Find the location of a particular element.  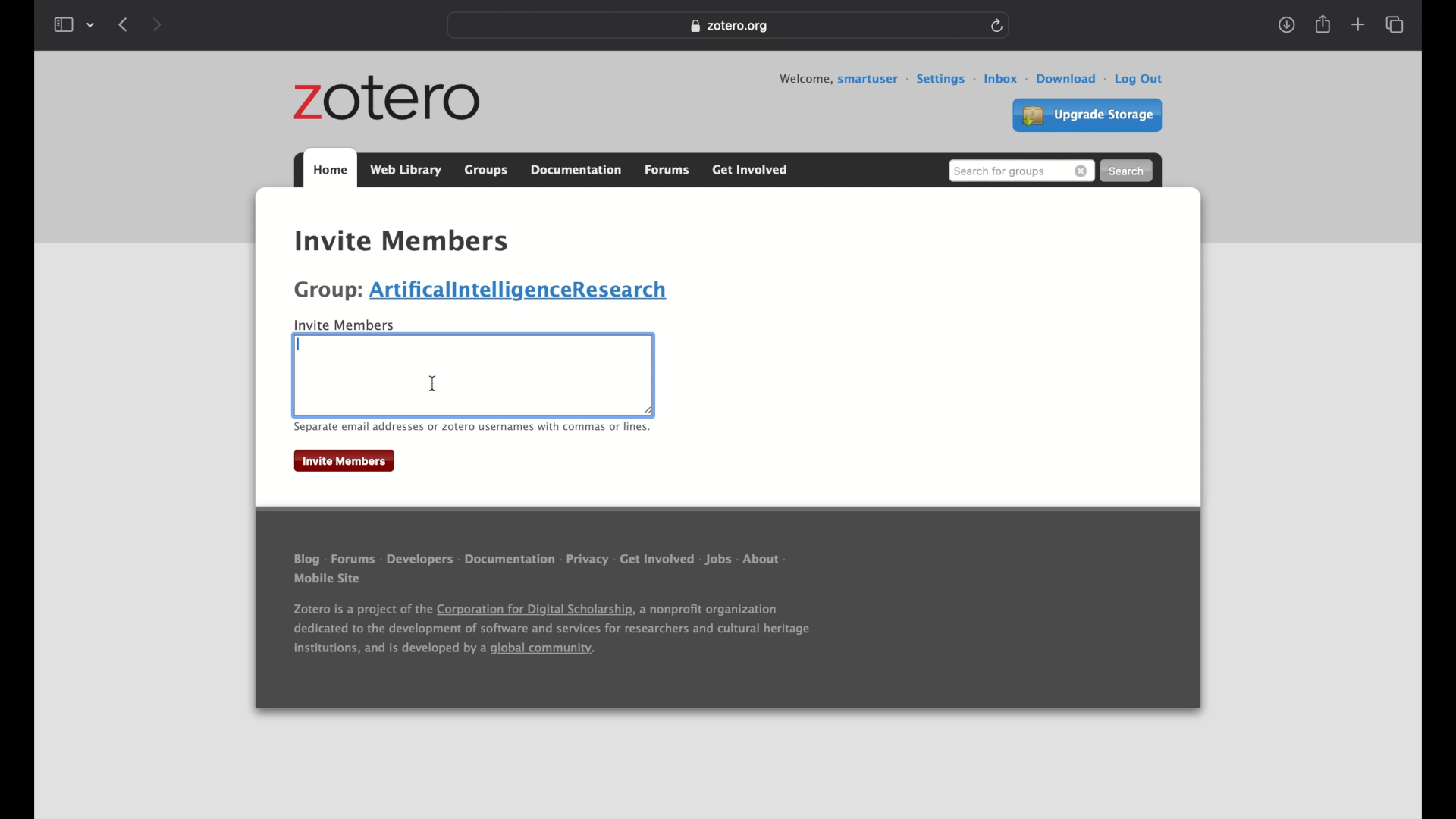

Blog - Forums - Developers - Documentation - Privacy - Get Involved - Jobs - About
Mobile Site

Zotero is a project of the Corporation for Digital Scholarship, a nonprofit organization
dedicated to the development of software and services for researchers and cultural heritage
institutions, and is developed by a global community. is located at coordinates (570, 613).